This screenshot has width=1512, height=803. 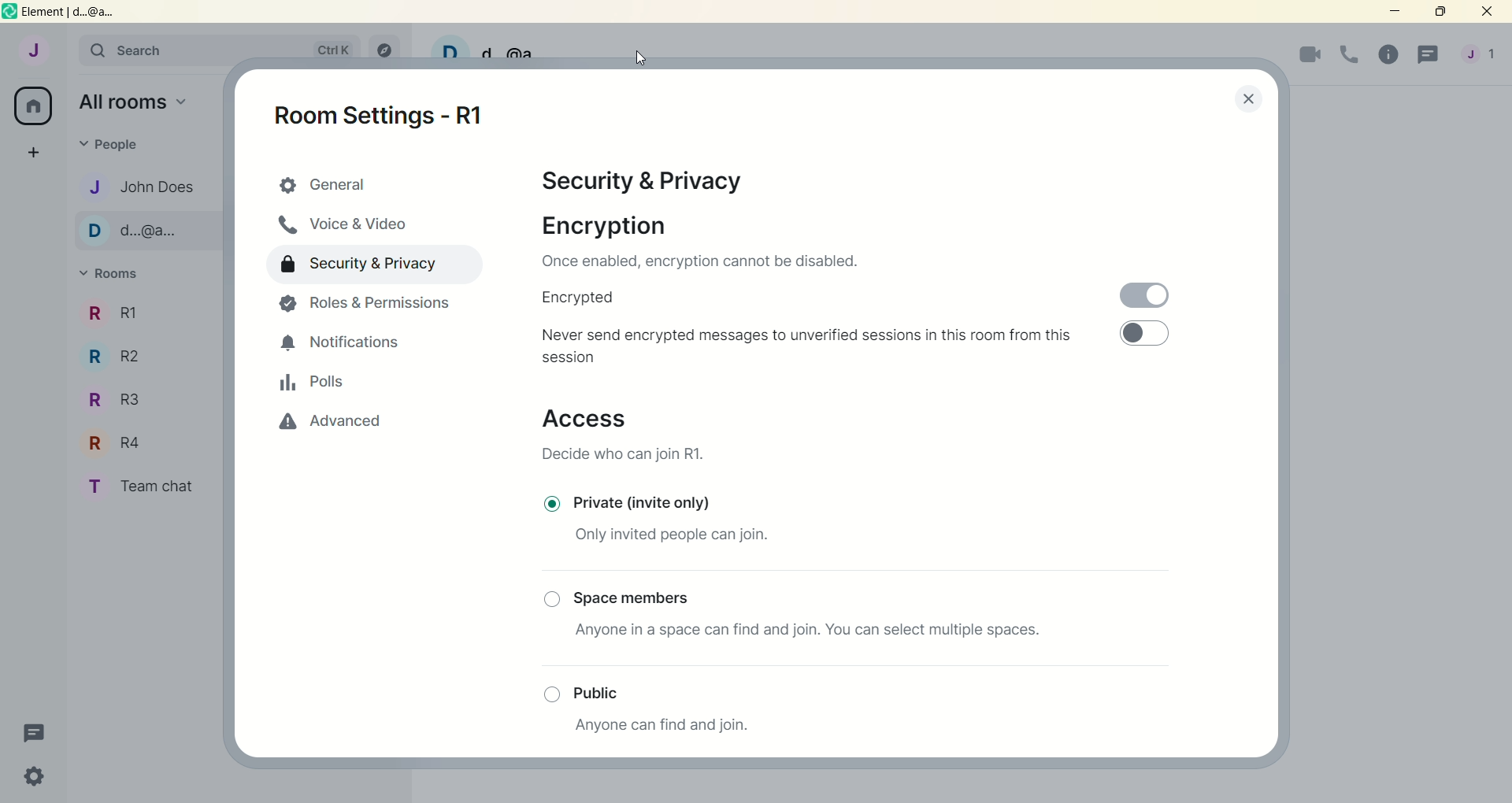 I want to click on roles and permissions, so click(x=370, y=305).